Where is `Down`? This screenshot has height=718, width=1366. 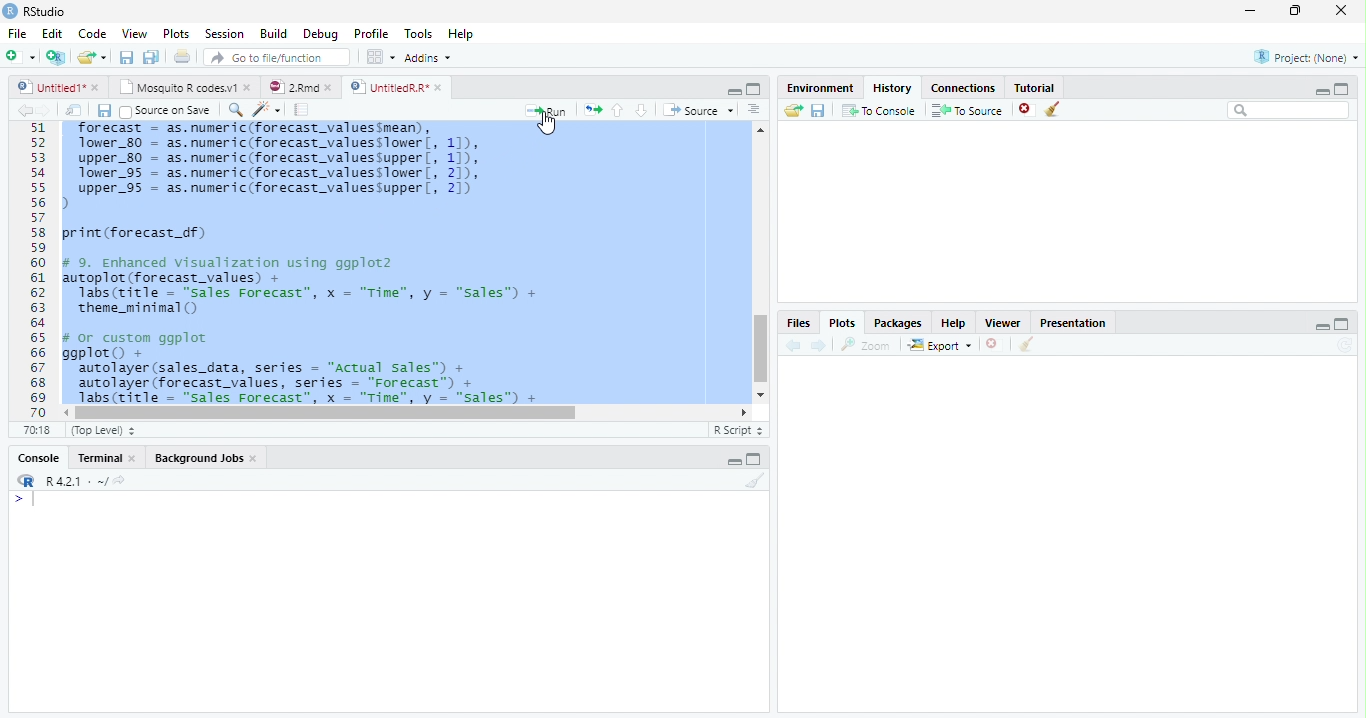 Down is located at coordinates (642, 111).